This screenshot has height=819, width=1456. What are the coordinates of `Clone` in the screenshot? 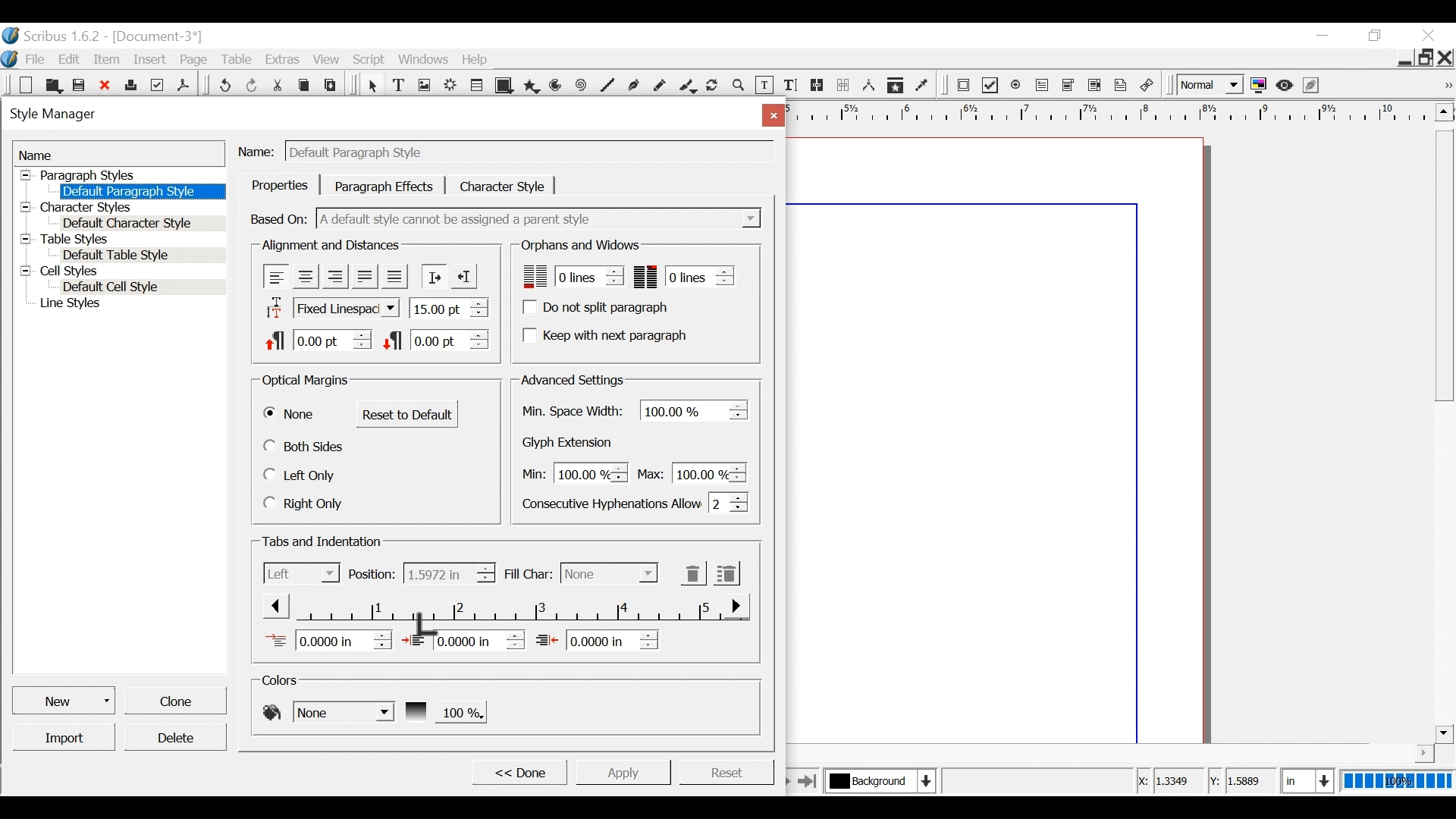 It's located at (174, 699).